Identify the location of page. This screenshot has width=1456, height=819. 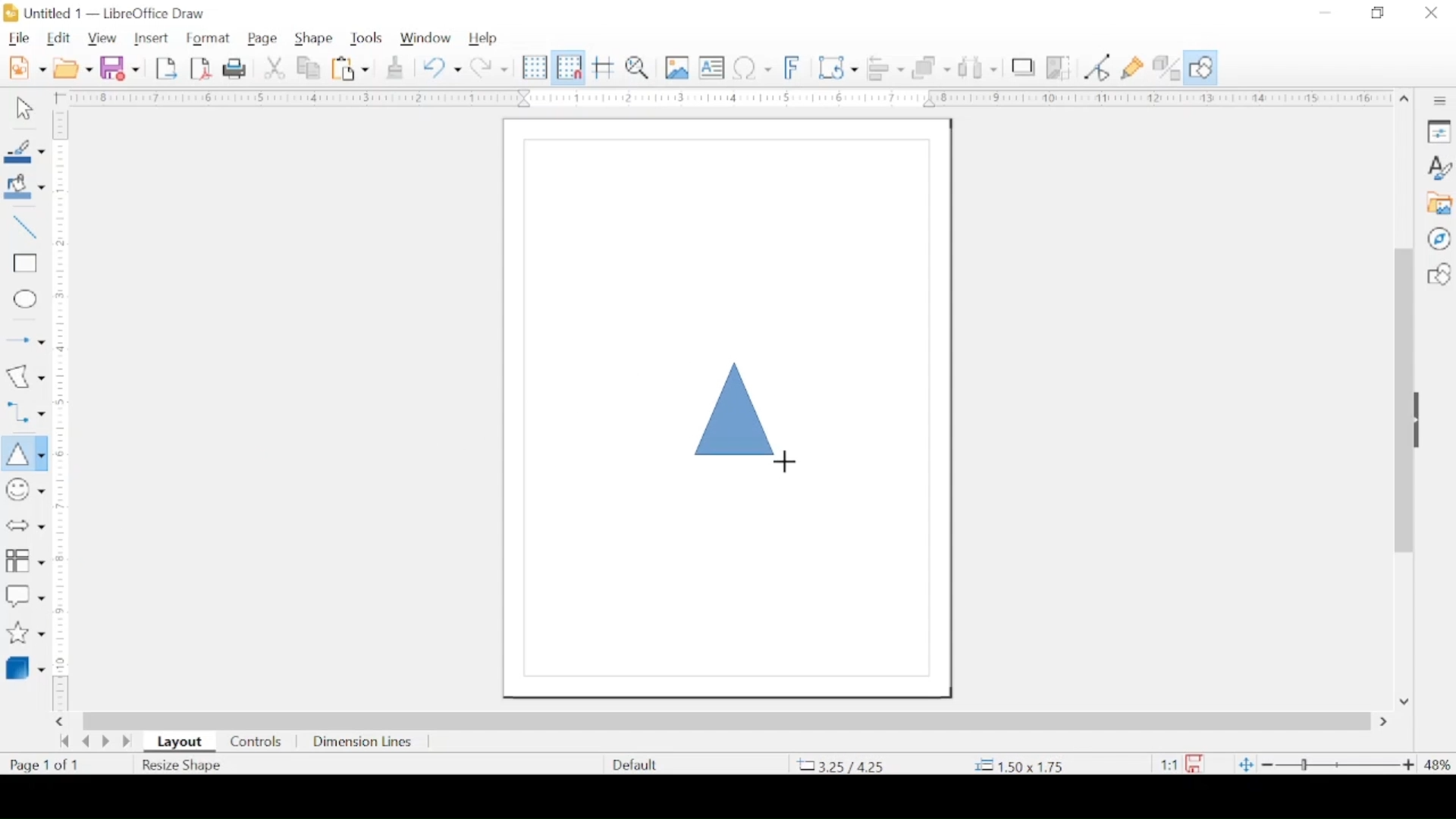
(265, 37).